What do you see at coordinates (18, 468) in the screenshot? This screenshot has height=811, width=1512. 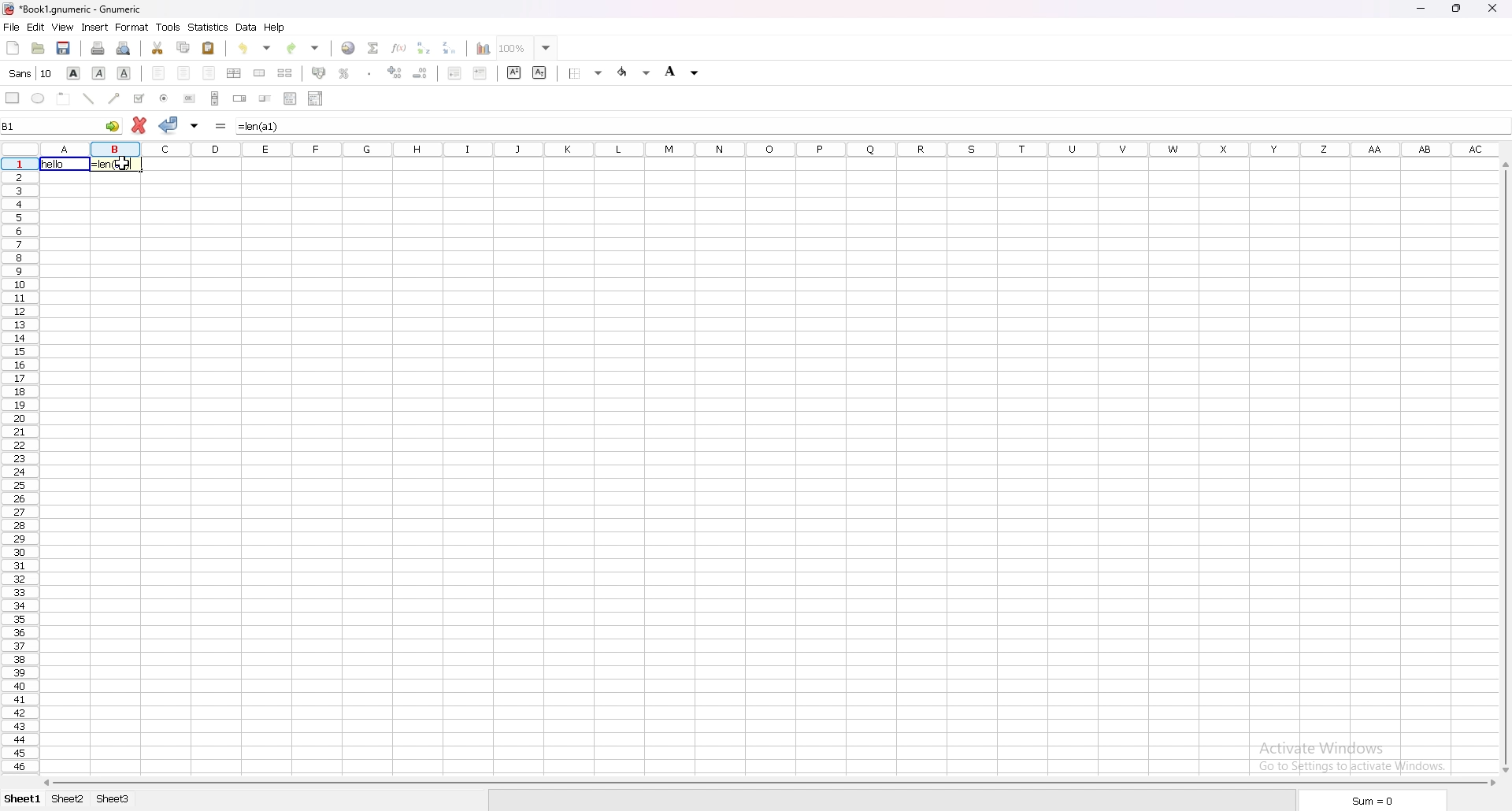 I see `row` at bounding box center [18, 468].